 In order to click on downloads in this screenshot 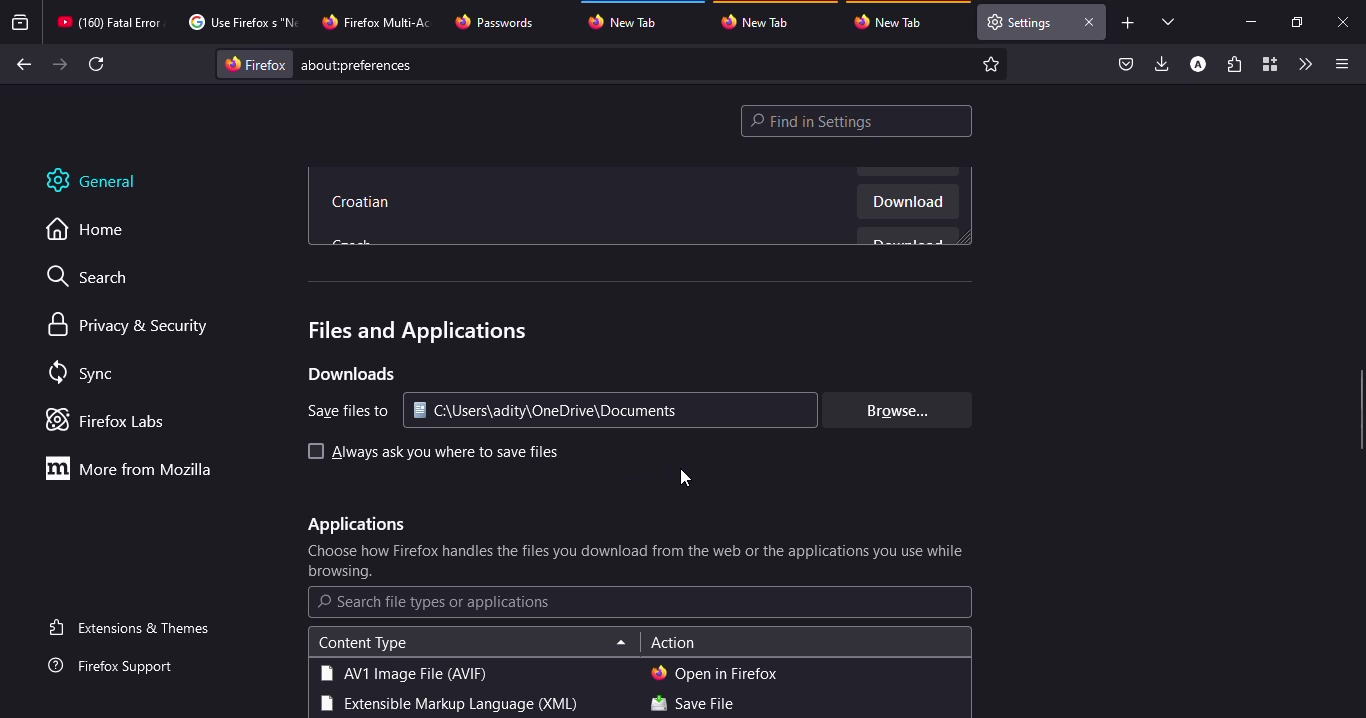, I will do `click(1163, 63)`.